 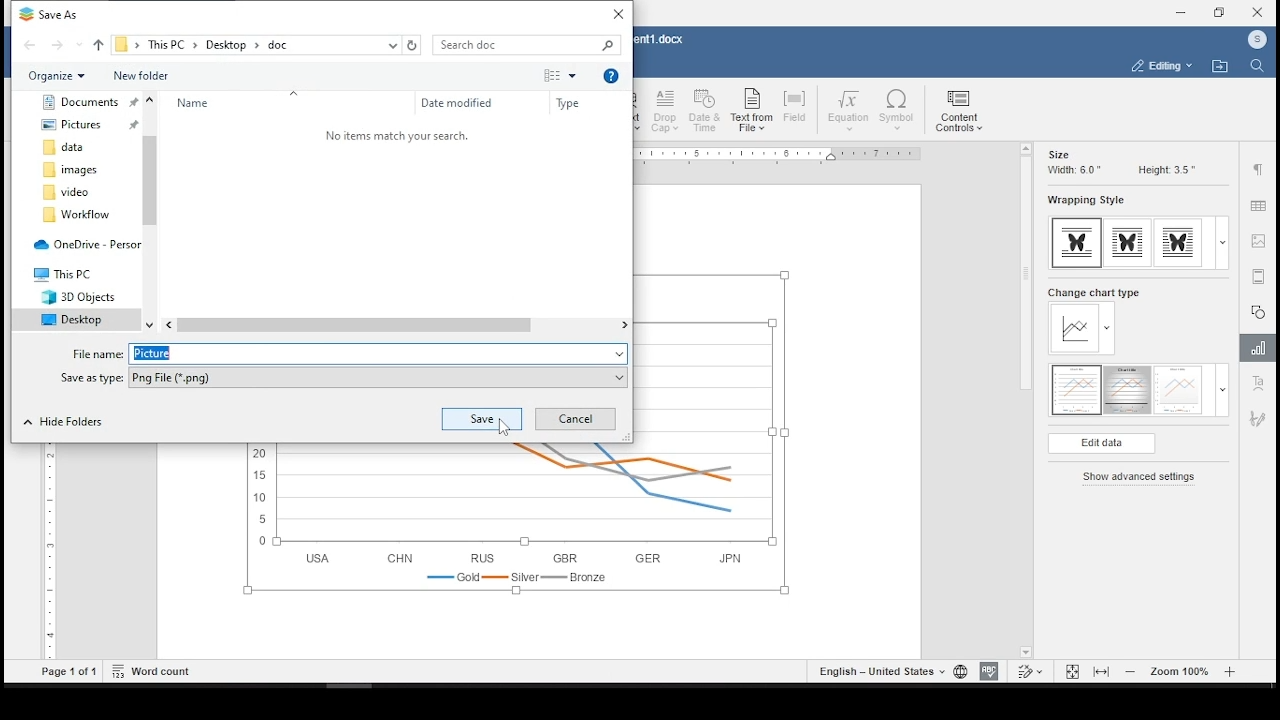 What do you see at coordinates (1222, 12) in the screenshot?
I see `restore` at bounding box center [1222, 12].